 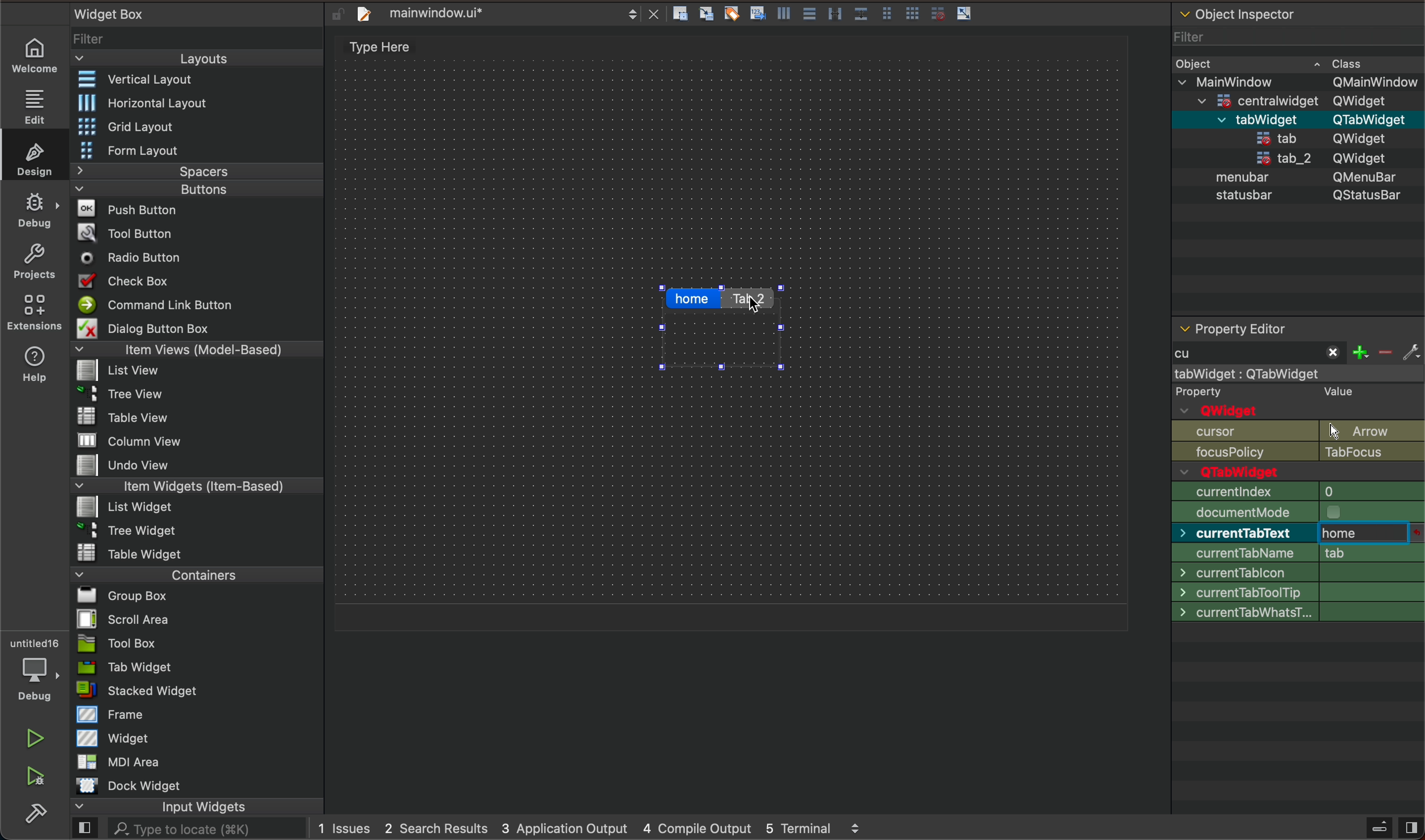 What do you see at coordinates (1270, 160) in the screenshot?
I see `tab_2` at bounding box center [1270, 160].